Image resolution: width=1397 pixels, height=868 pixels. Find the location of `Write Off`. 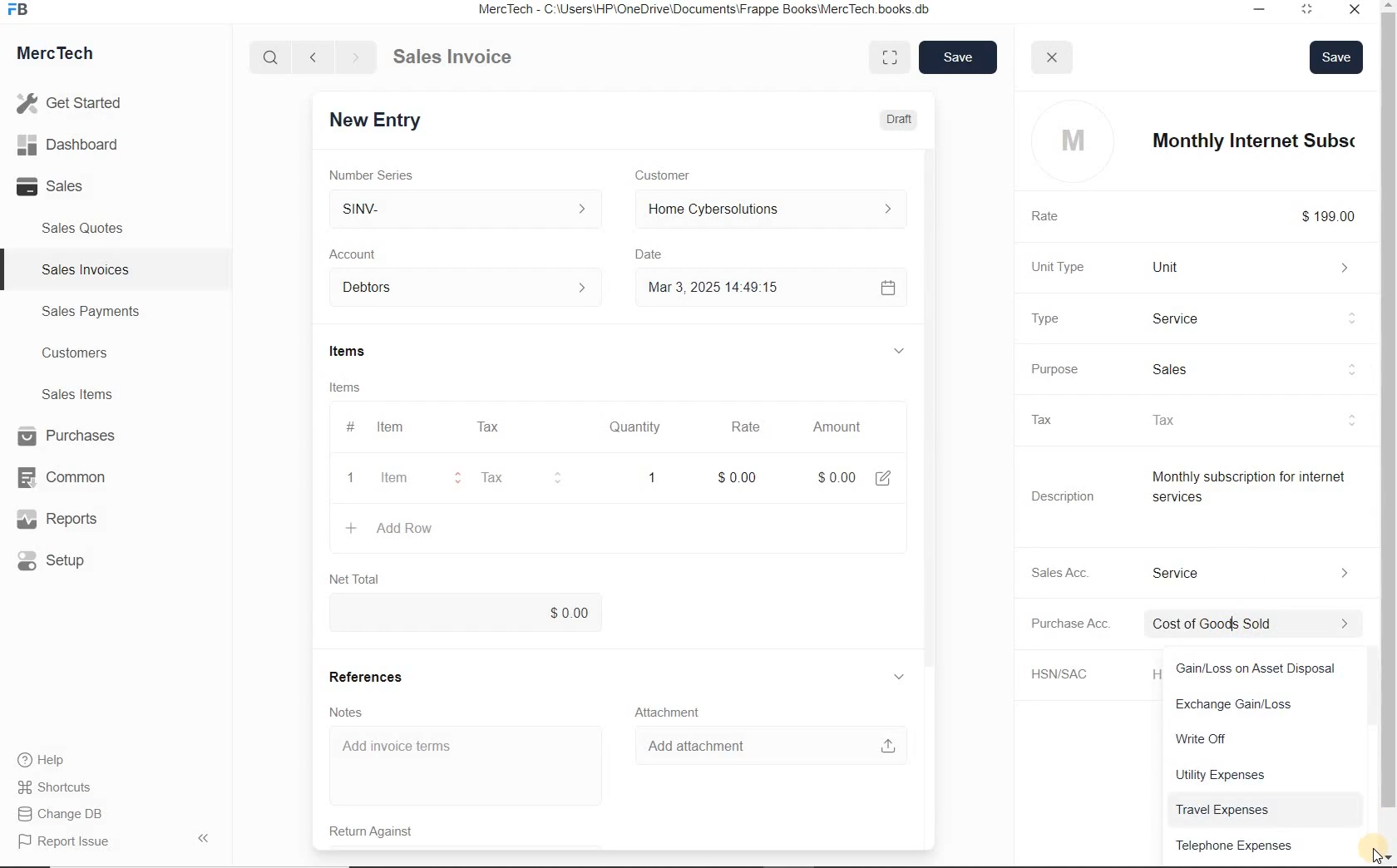

Write Off is located at coordinates (1259, 735).